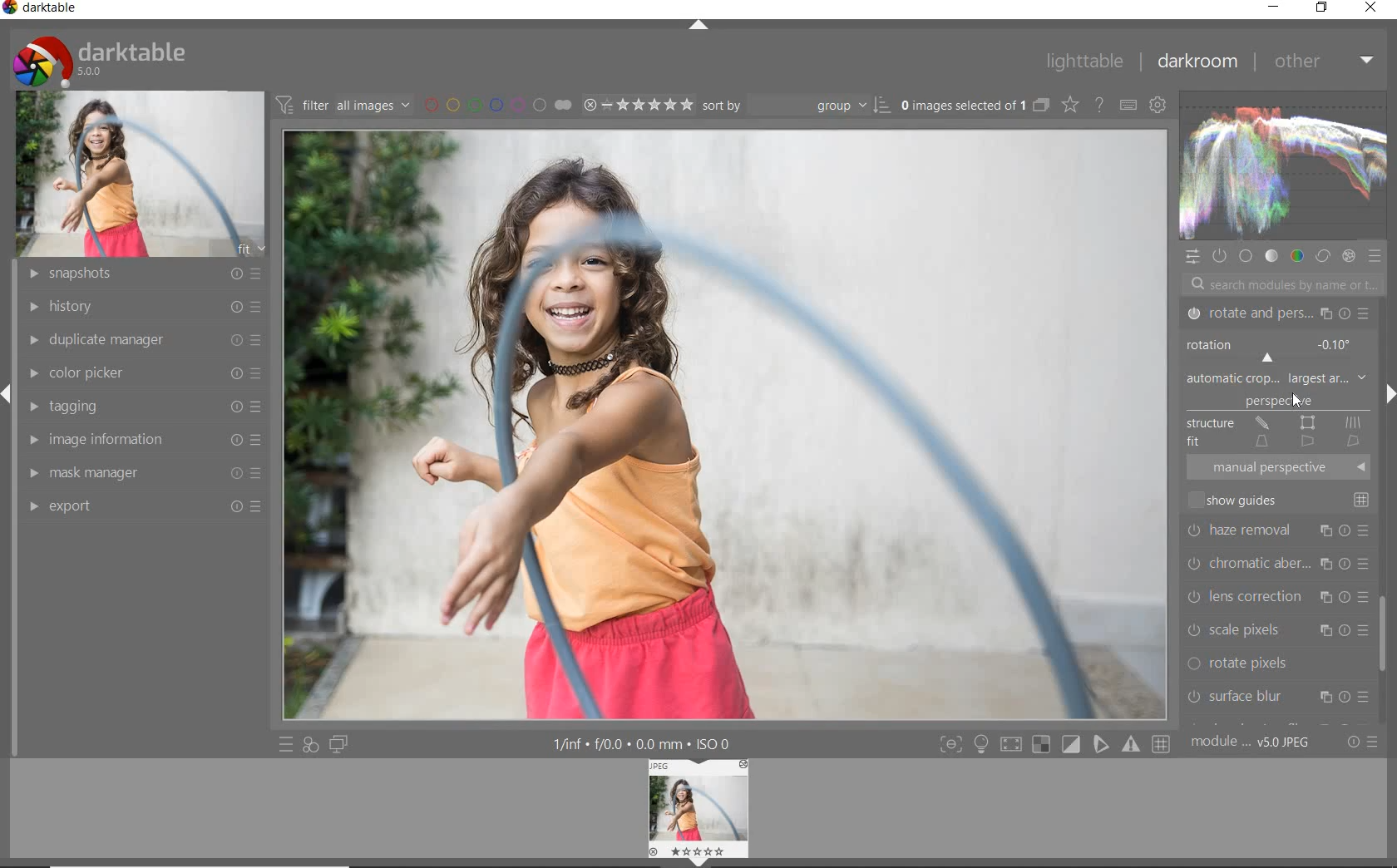 The image size is (1397, 868). Describe the element at coordinates (1190, 259) in the screenshot. I see `quick access panel` at that location.